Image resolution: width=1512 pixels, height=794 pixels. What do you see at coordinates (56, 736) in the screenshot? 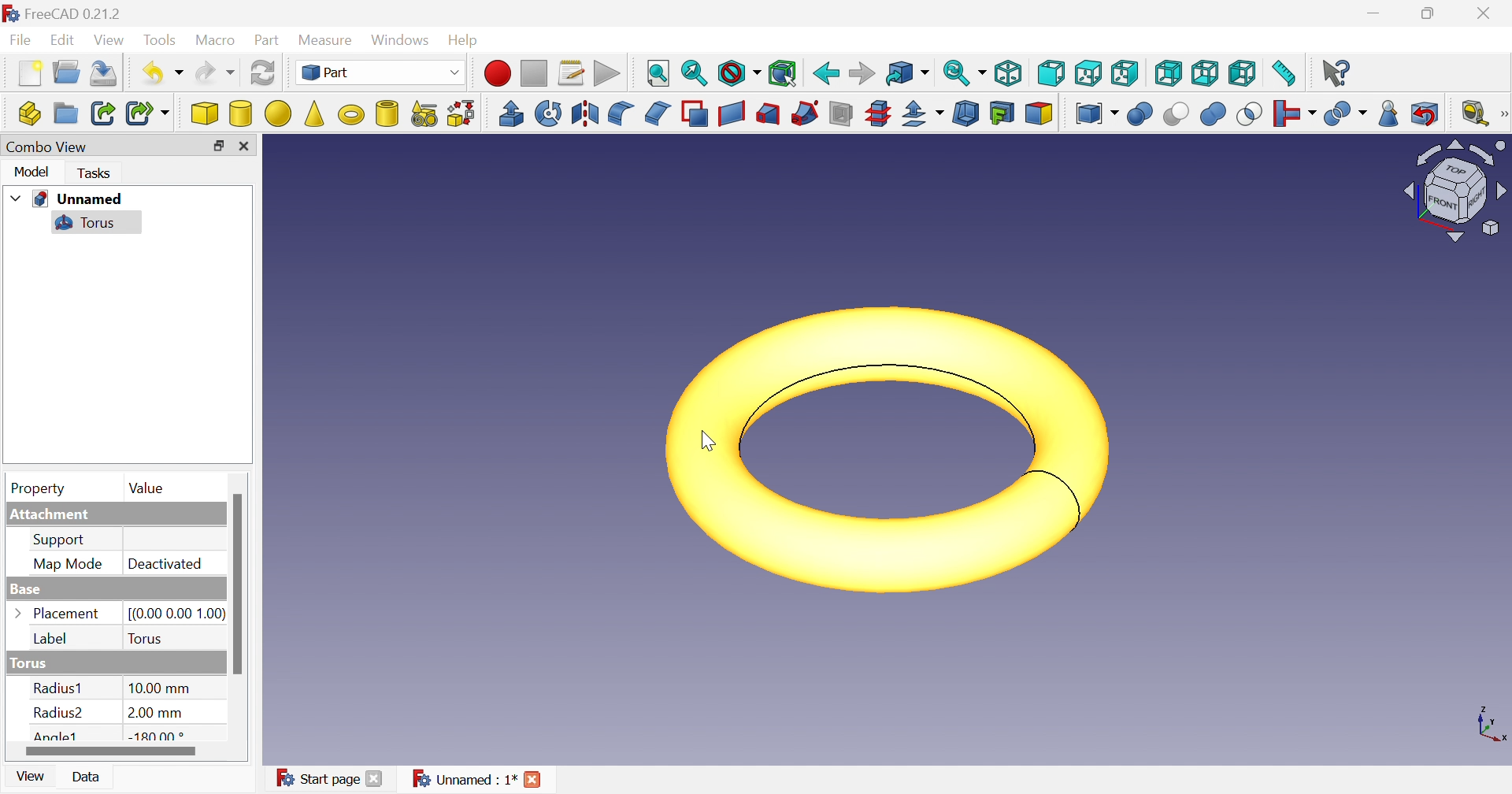
I see `Angle1` at bounding box center [56, 736].